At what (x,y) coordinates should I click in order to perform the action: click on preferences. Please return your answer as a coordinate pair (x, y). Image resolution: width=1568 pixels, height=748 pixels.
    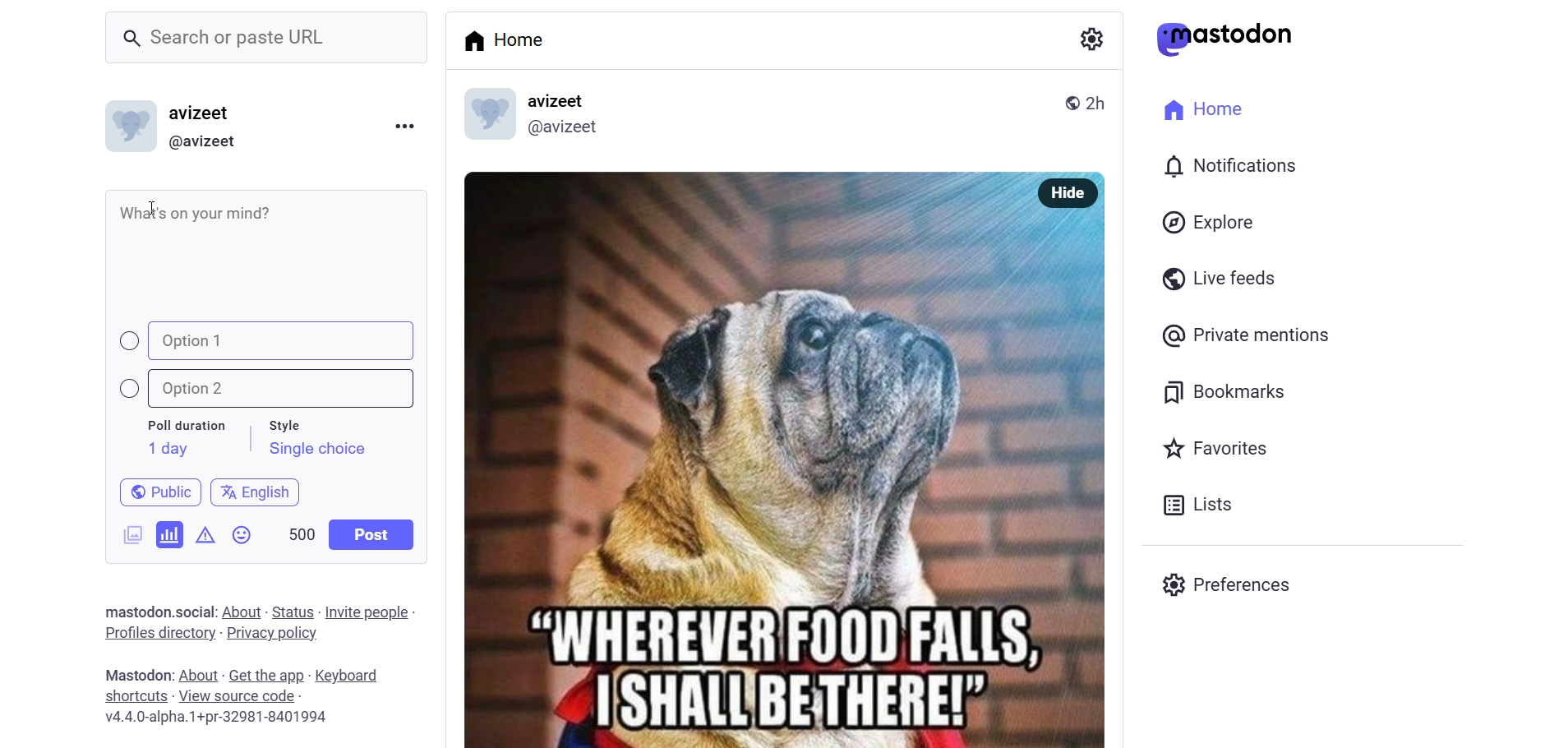
    Looking at the image, I should click on (1231, 582).